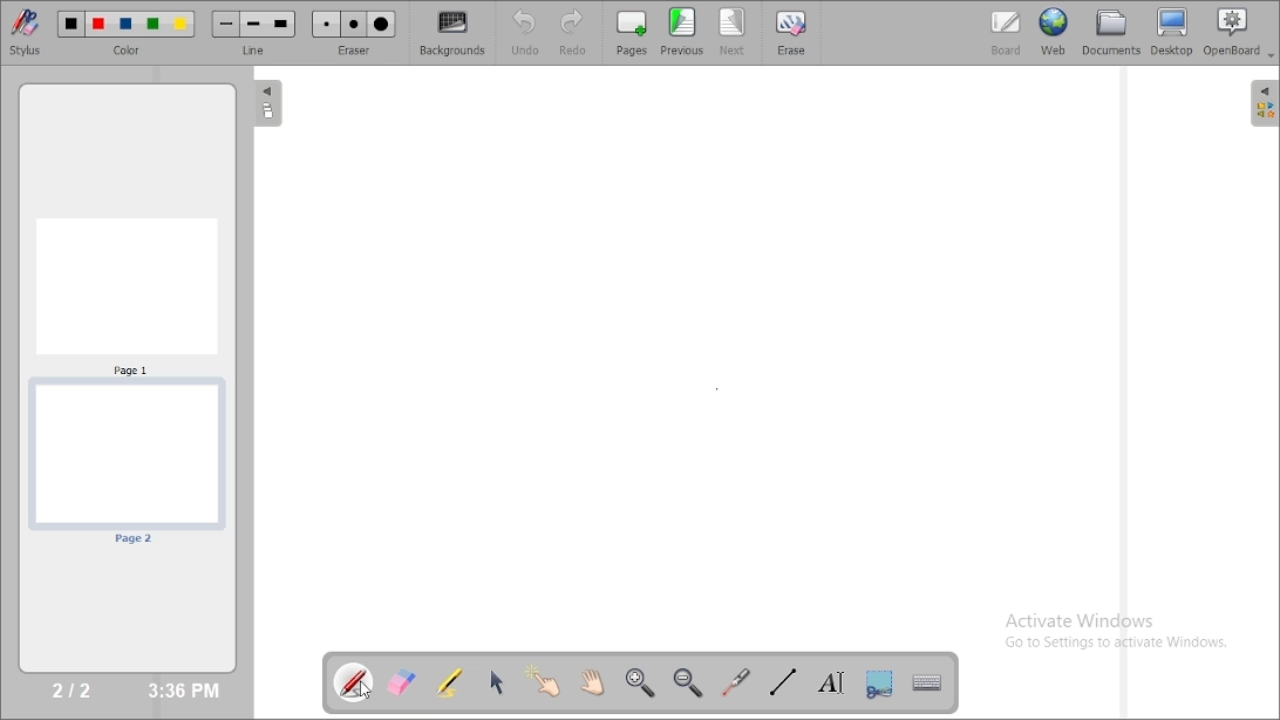 The image size is (1280, 720). What do you see at coordinates (545, 681) in the screenshot?
I see `interact with items` at bounding box center [545, 681].